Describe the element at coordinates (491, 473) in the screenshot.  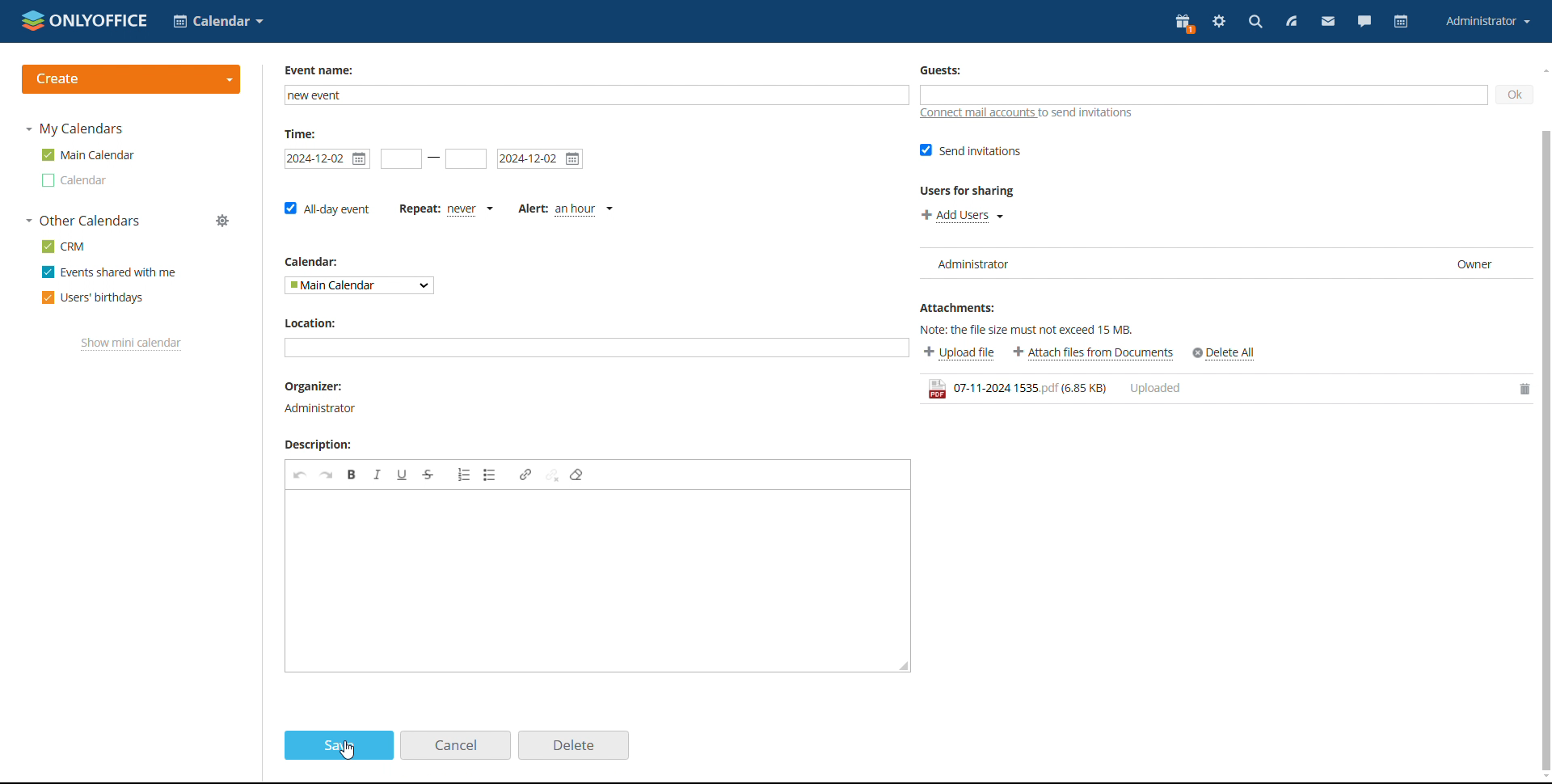
I see `insert/remove bulleted list` at that location.